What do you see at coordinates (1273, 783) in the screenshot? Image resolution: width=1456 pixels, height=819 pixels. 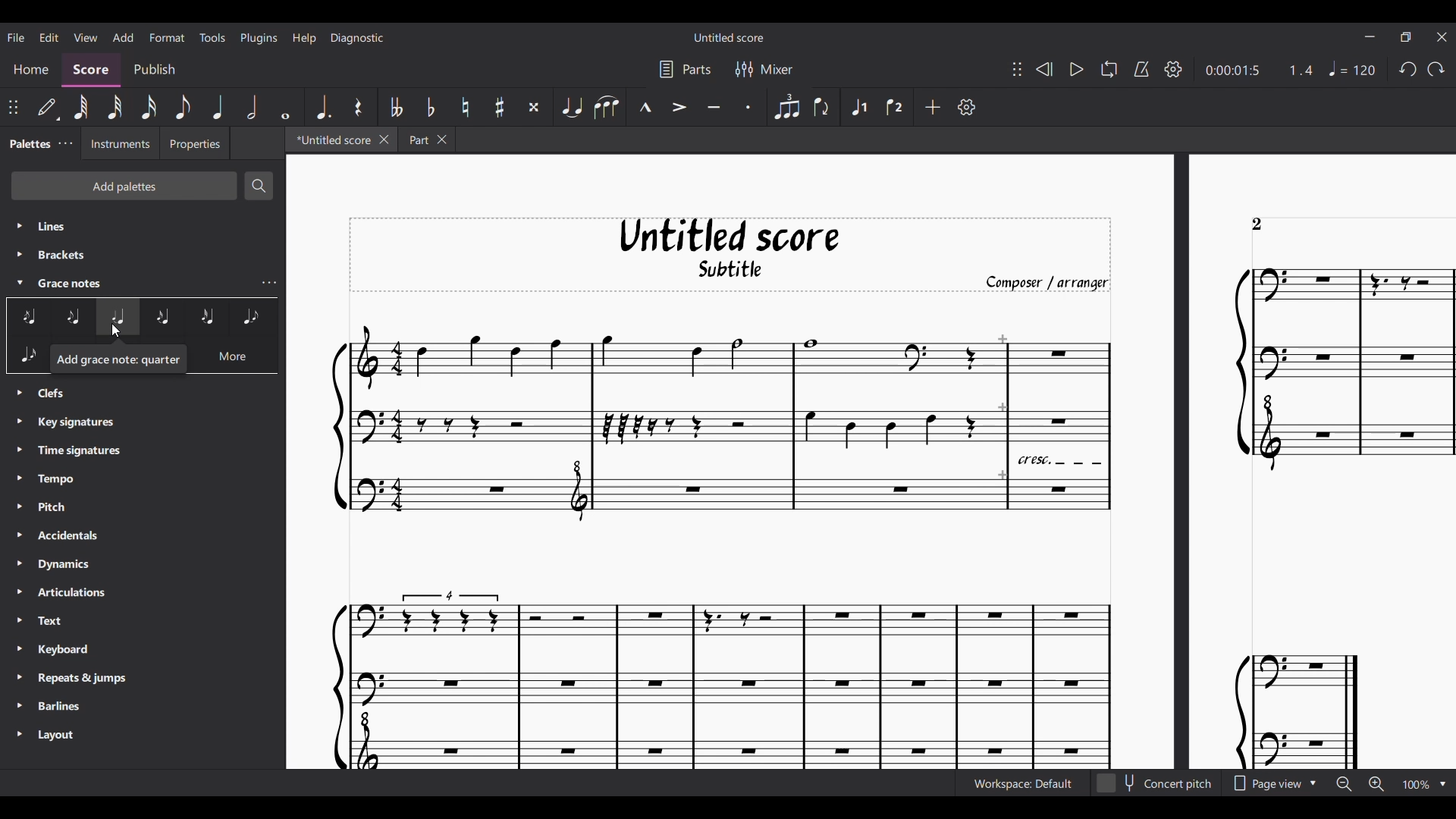 I see `Options to change page view` at bounding box center [1273, 783].